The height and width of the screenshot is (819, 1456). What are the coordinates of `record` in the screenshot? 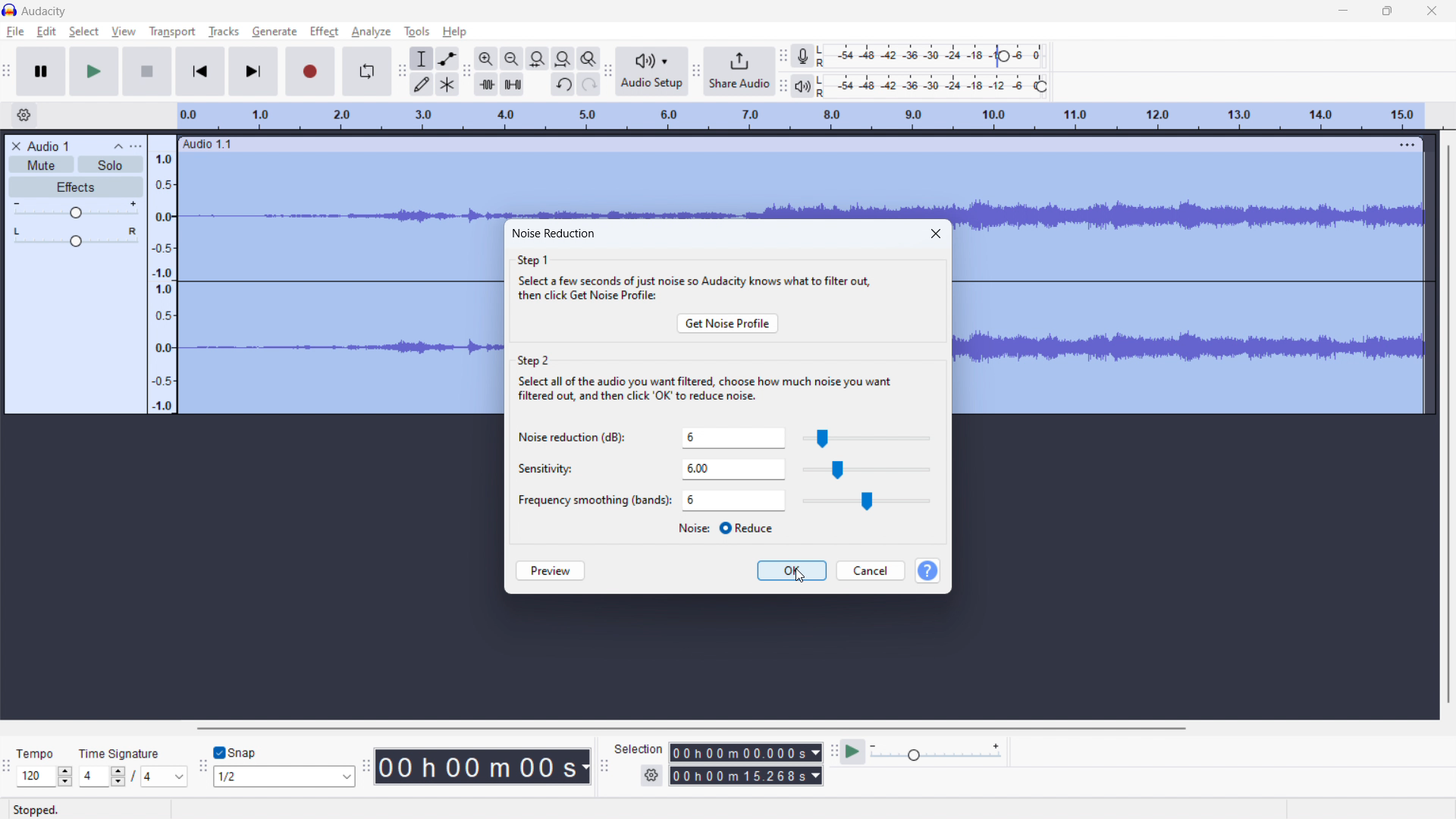 It's located at (309, 71).